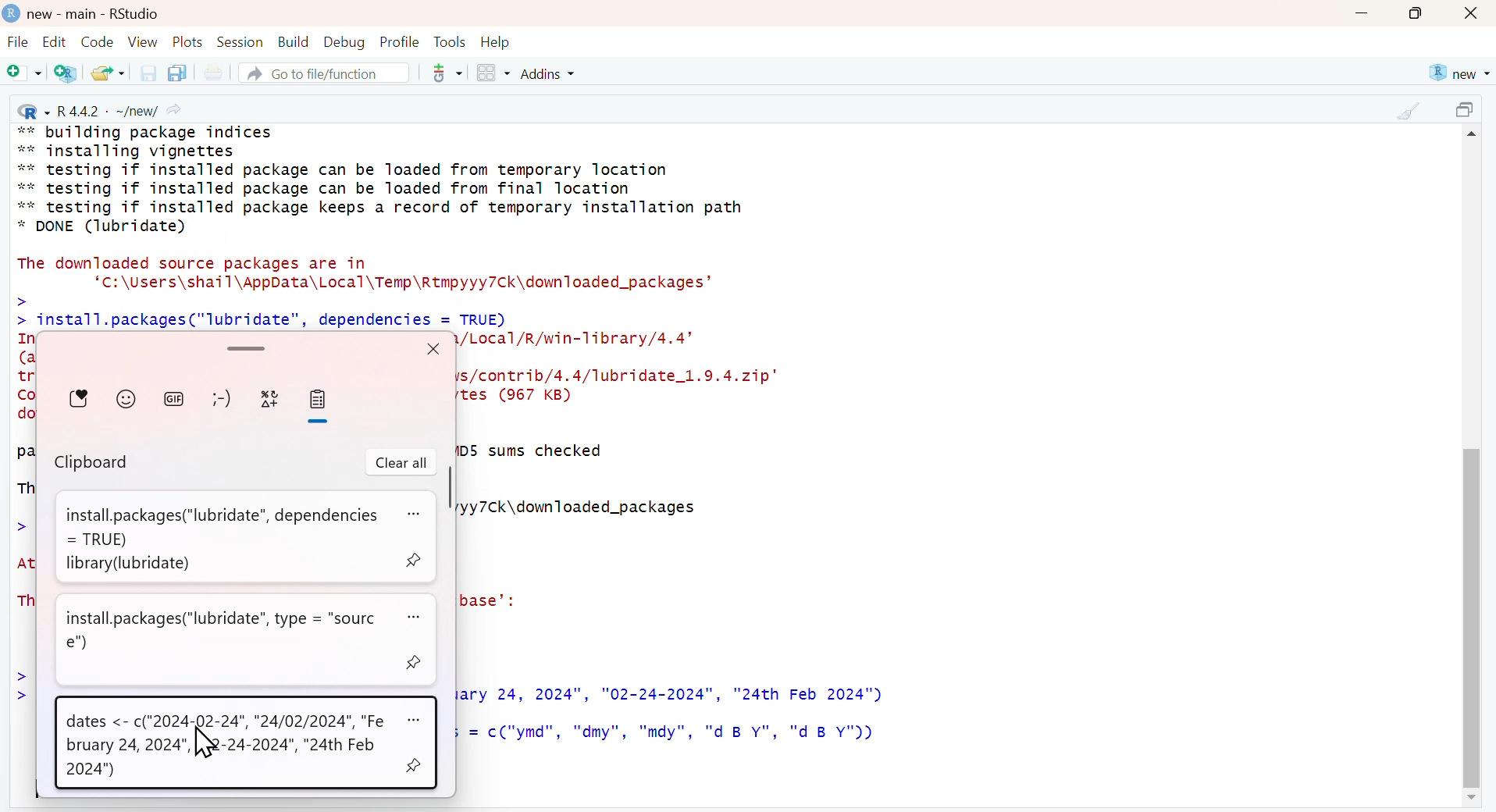 Image resolution: width=1496 pixels, height=812 pixels. I want to click on File, so click(18, 44).